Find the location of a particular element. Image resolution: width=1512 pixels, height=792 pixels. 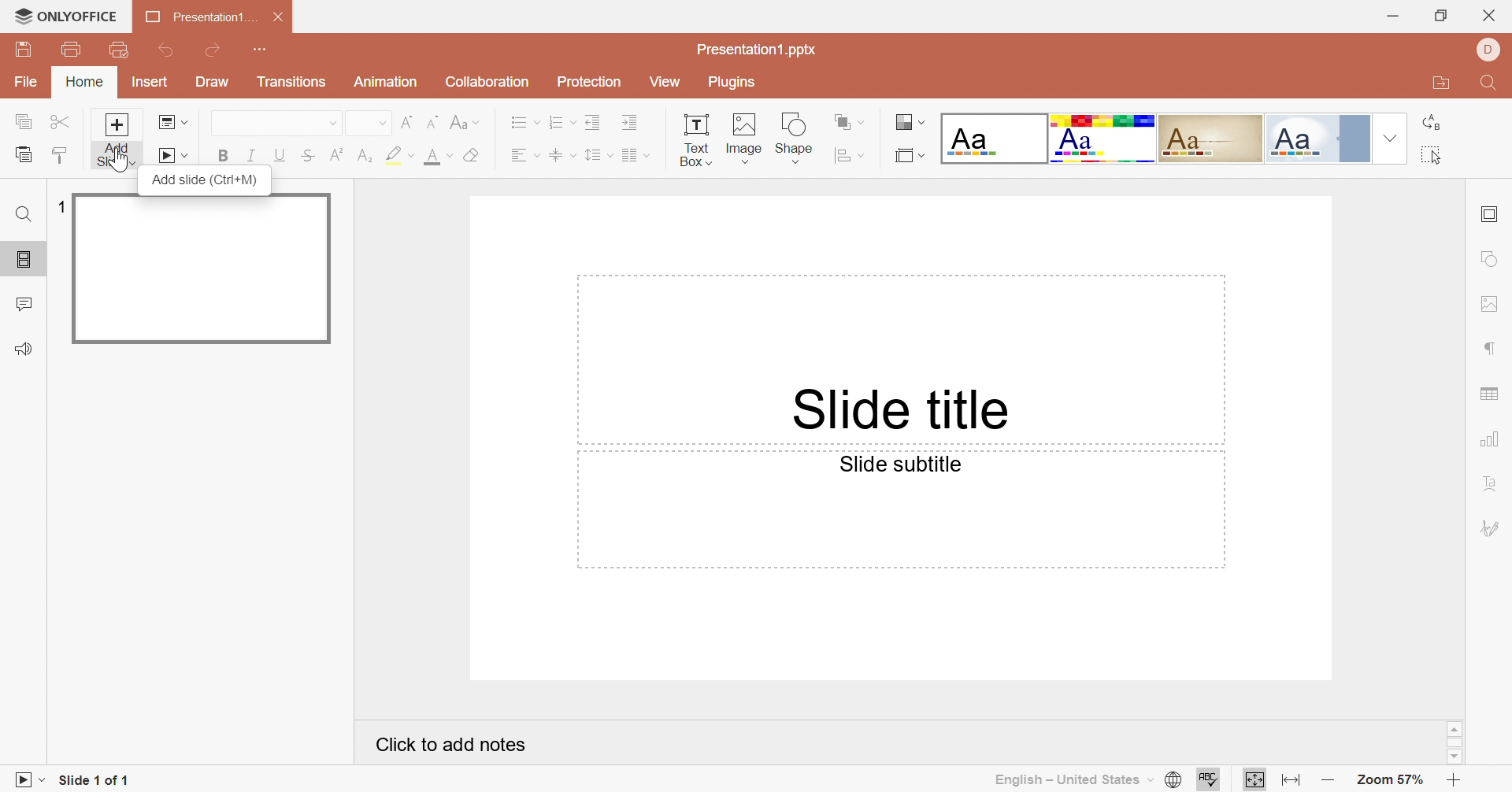

Insert Columns is located at coordinates (636, 157).